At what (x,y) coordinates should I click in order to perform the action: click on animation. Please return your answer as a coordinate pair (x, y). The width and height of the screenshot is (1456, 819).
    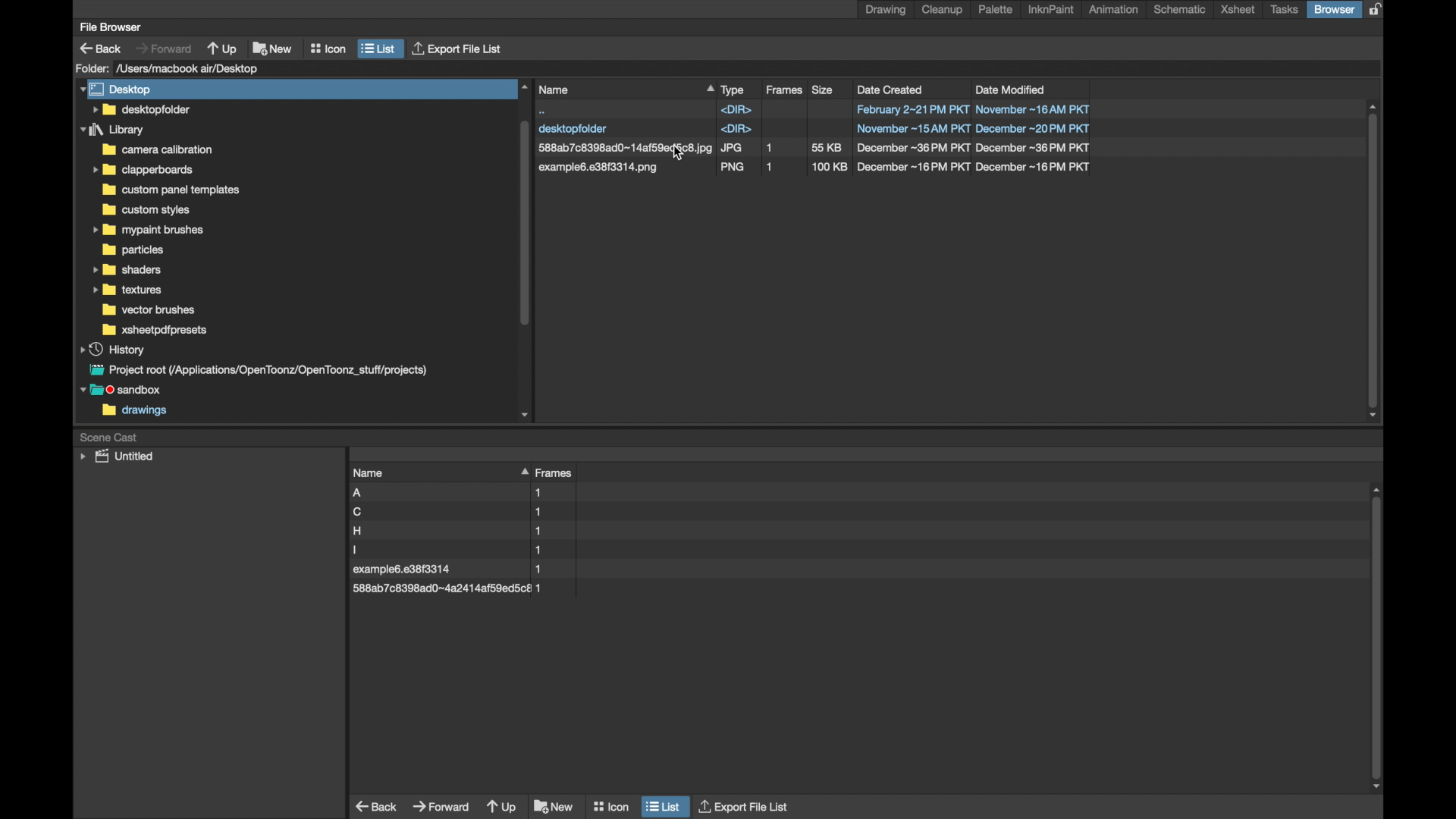
    Looking at the image, I should click on (1115, 9).